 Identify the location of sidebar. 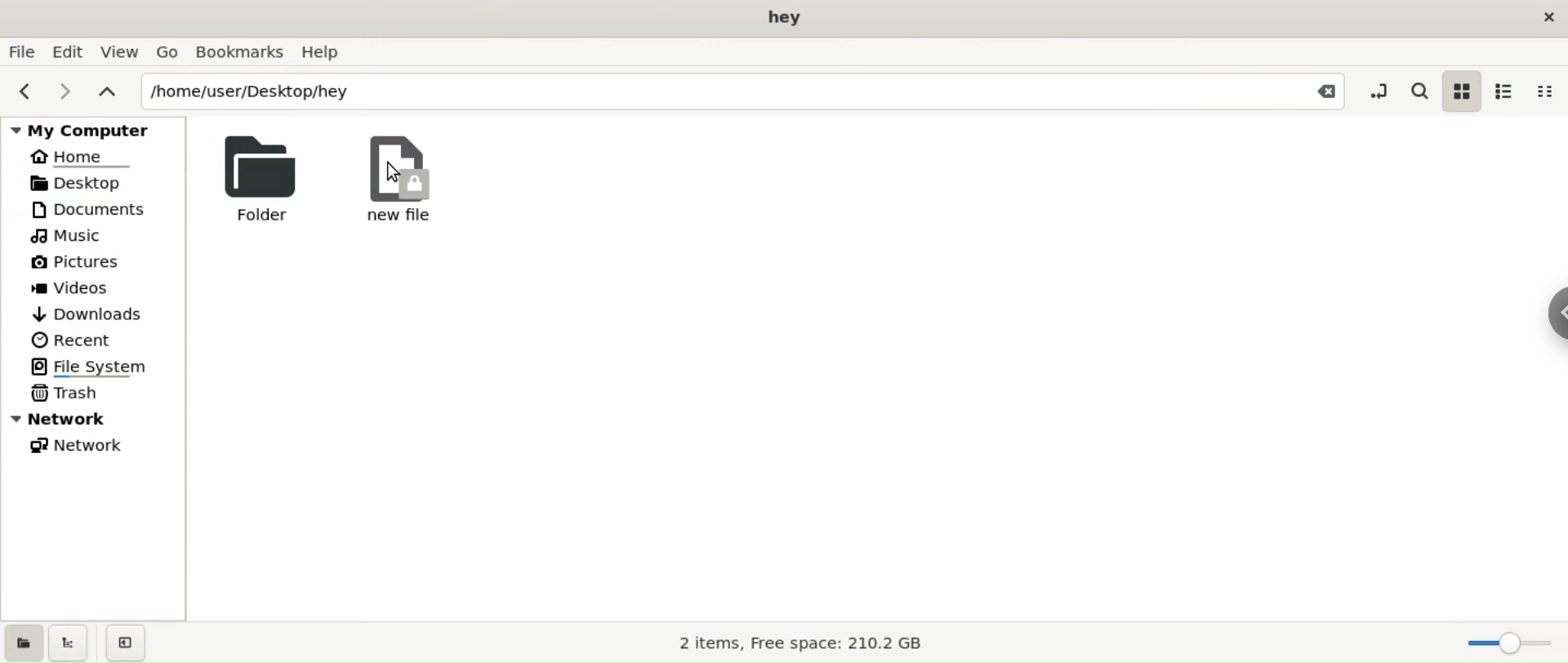
(1553, 309).